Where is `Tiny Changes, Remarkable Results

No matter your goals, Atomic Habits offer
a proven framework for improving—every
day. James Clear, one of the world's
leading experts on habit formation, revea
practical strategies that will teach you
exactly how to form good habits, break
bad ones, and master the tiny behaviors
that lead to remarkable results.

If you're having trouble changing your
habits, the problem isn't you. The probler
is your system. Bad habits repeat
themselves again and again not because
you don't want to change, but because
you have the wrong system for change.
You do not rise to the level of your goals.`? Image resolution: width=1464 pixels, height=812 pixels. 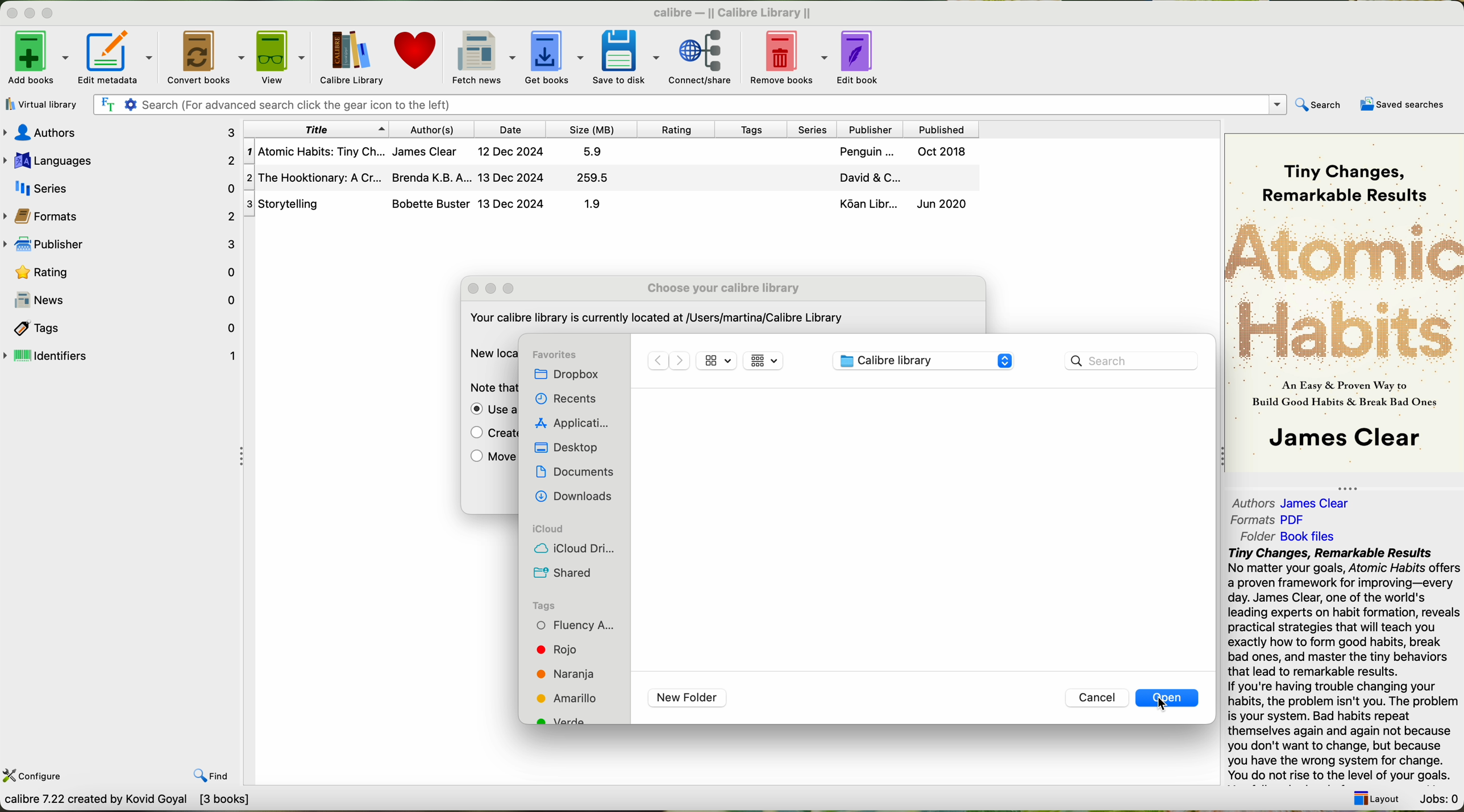
Tiny Changes, Remarkable Results

No matter your goals, Atomic Habits offer
a proven framework for improving—every
day. James Clear, one of the world's
leading experts on habit formation, revea
practical strategies that will teach you
exactly how to form good habits, break
bad ones, and master the tiny behaviors
that lead to remarkable results.

If you're having trouble changing your
habits, the problem isn't you. The probler
is your system. Bad habits repeat
themselves again and again not because
you don't want to change, but because
you have the wrong system for change.
You do not rise to the level of your goals. is located at coordinates (1342, 665).